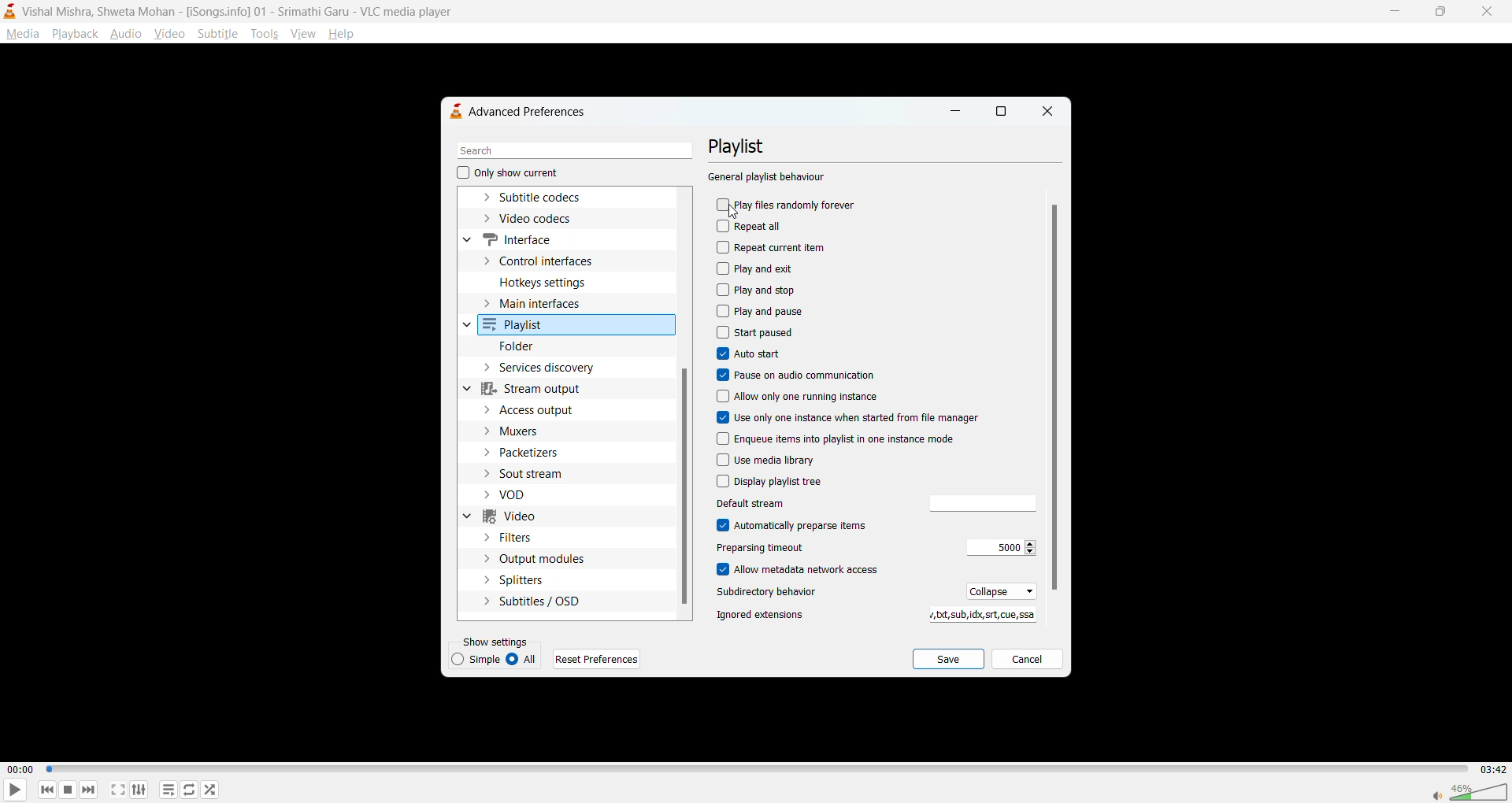 This screenshot has width=1512, height=803. Describe the element at coordinates (599, 659) in the screenshot. I see `reset preferences` at that location.